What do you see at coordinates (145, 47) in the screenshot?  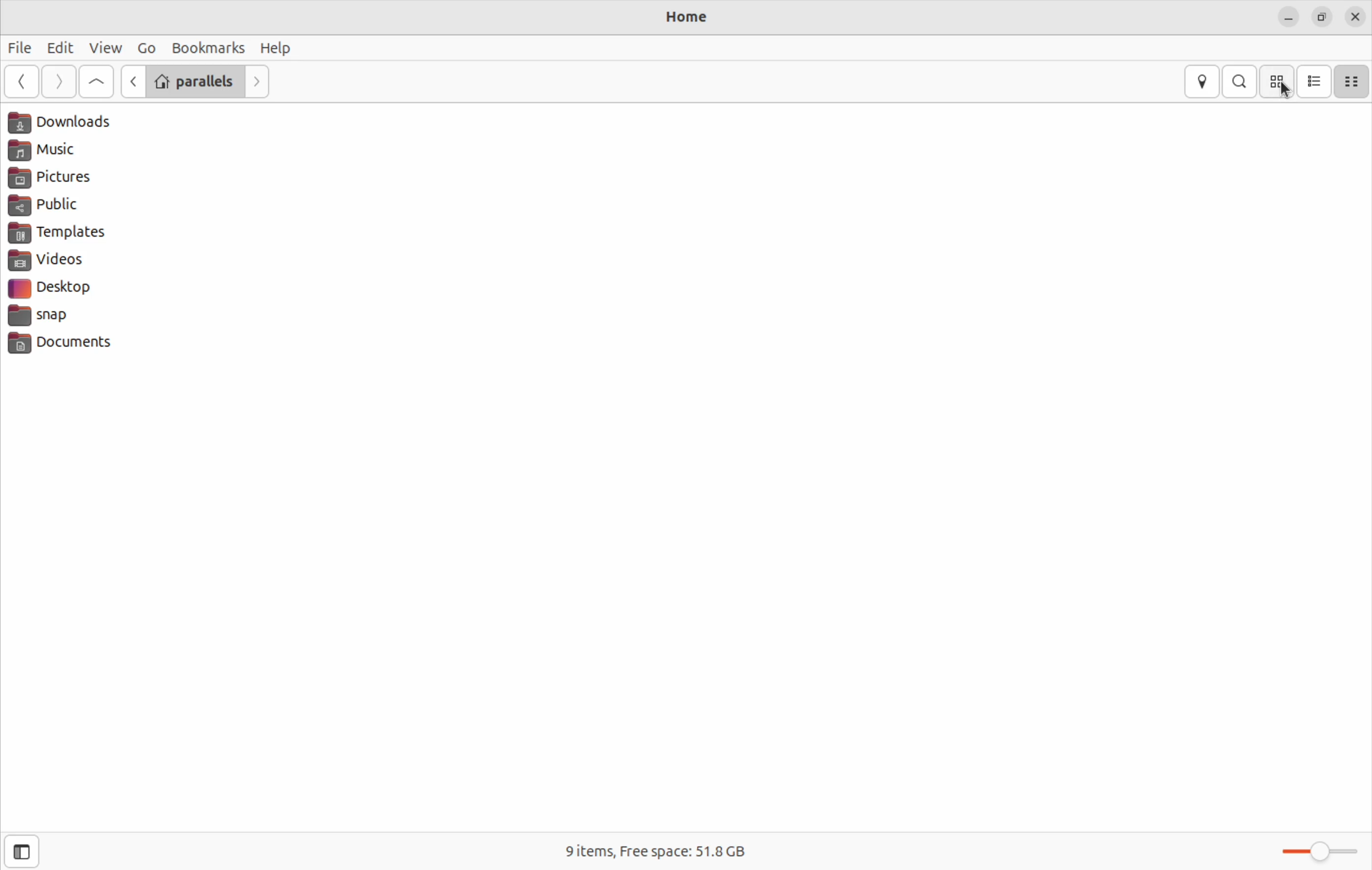 I see `Go` at bounding box center [145, 47].